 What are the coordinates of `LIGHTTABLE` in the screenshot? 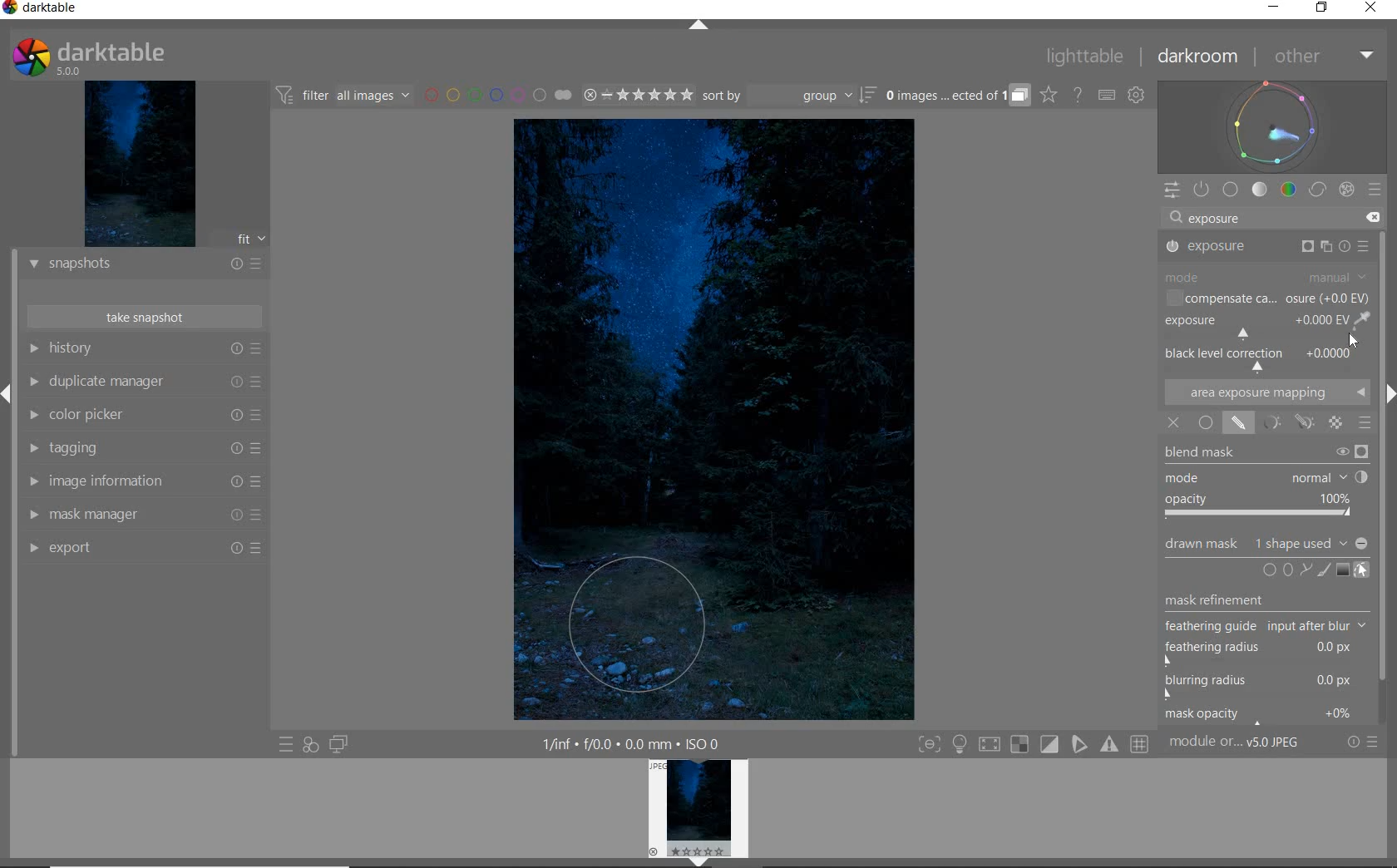 It's located at (1084, 57).